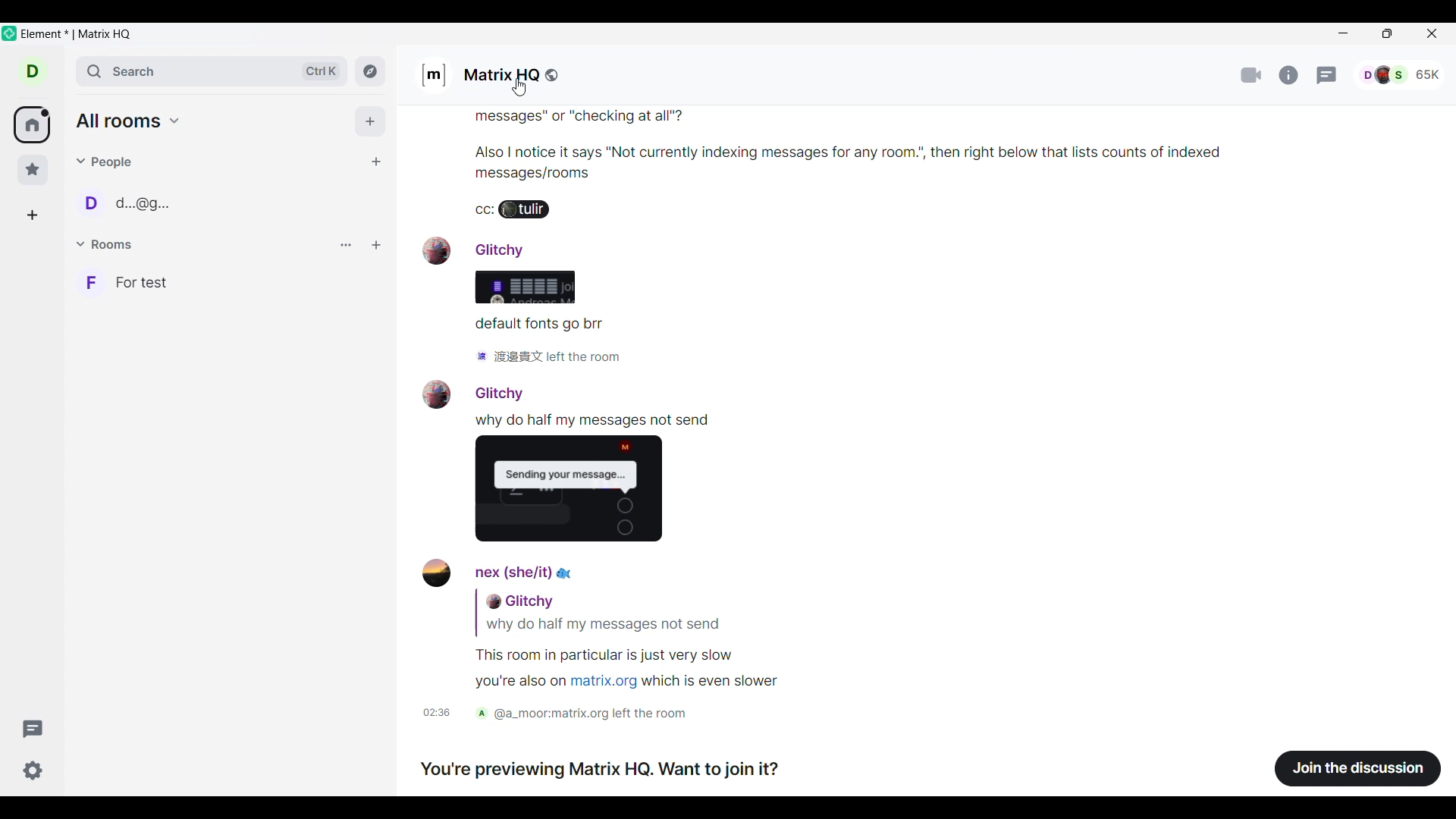 Image resolution: width=1456 pixels, height=819 pixels. I want to click on Threads, so click(33, 729).